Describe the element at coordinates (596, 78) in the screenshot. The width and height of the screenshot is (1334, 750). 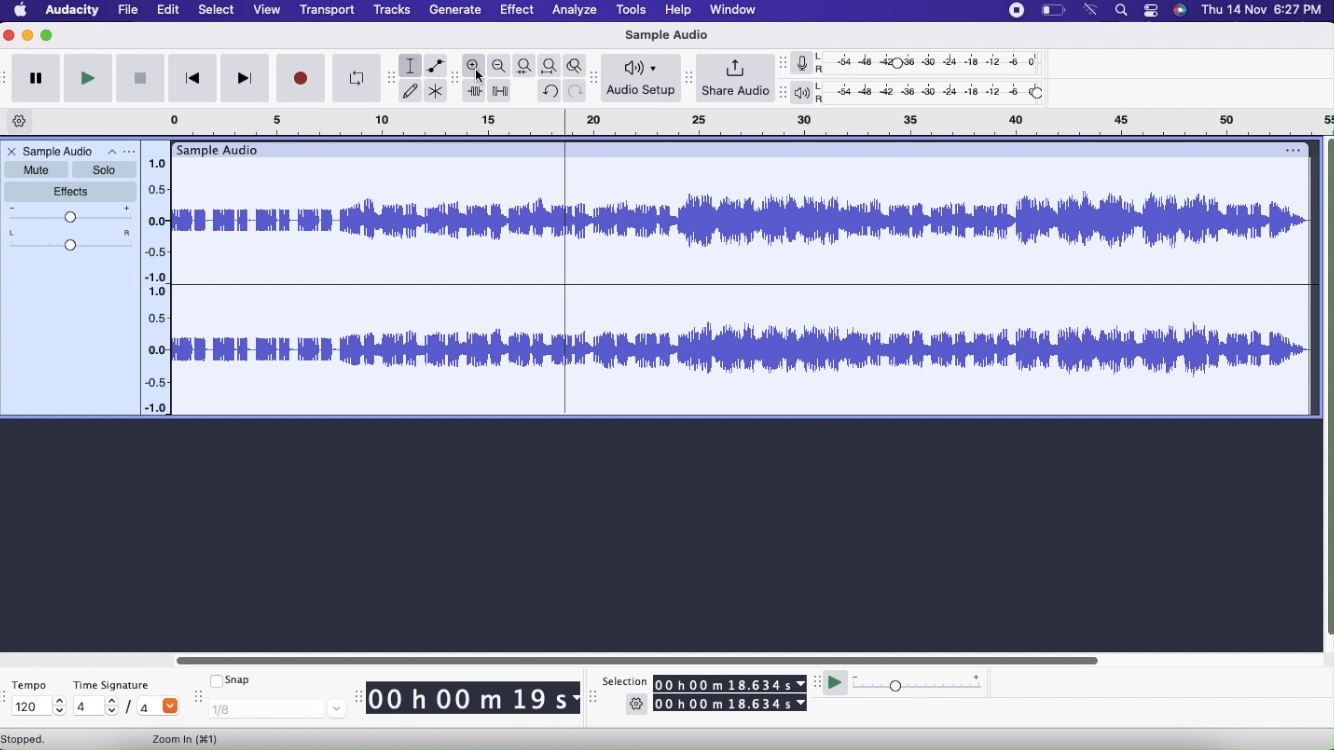
I see `resize` at that location.